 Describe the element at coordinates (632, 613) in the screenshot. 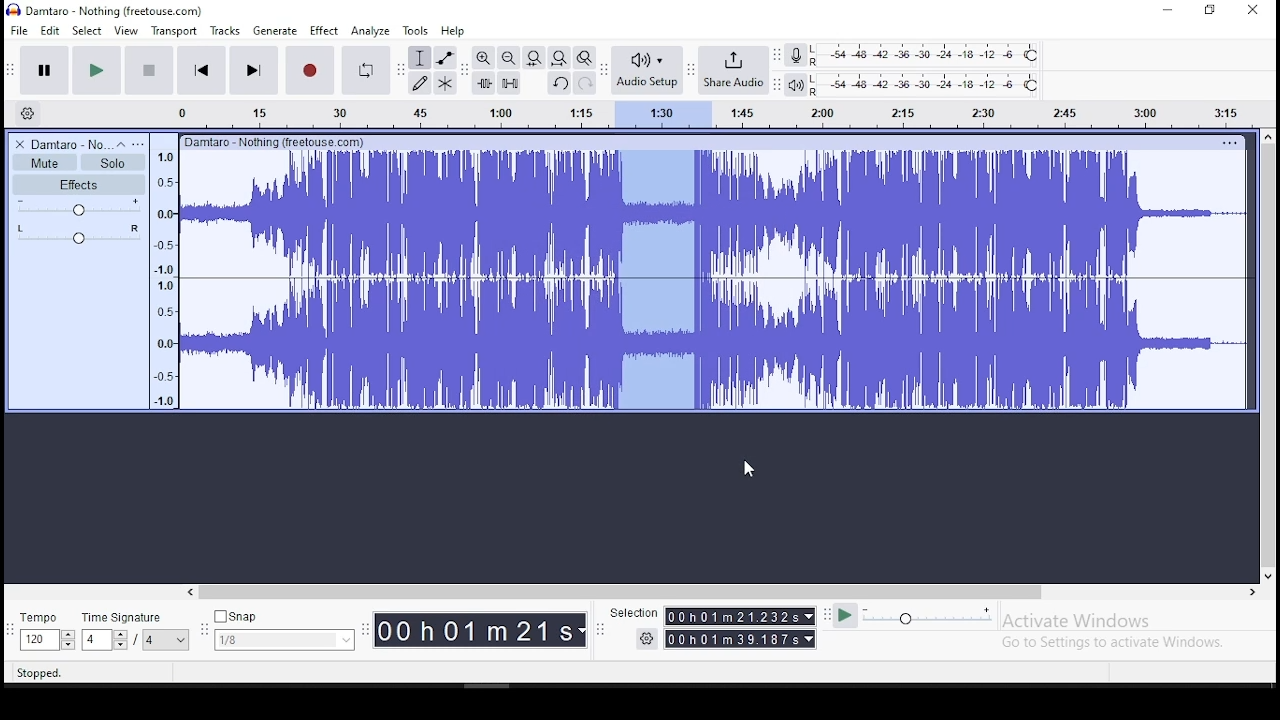

I see `Selection` at that location.